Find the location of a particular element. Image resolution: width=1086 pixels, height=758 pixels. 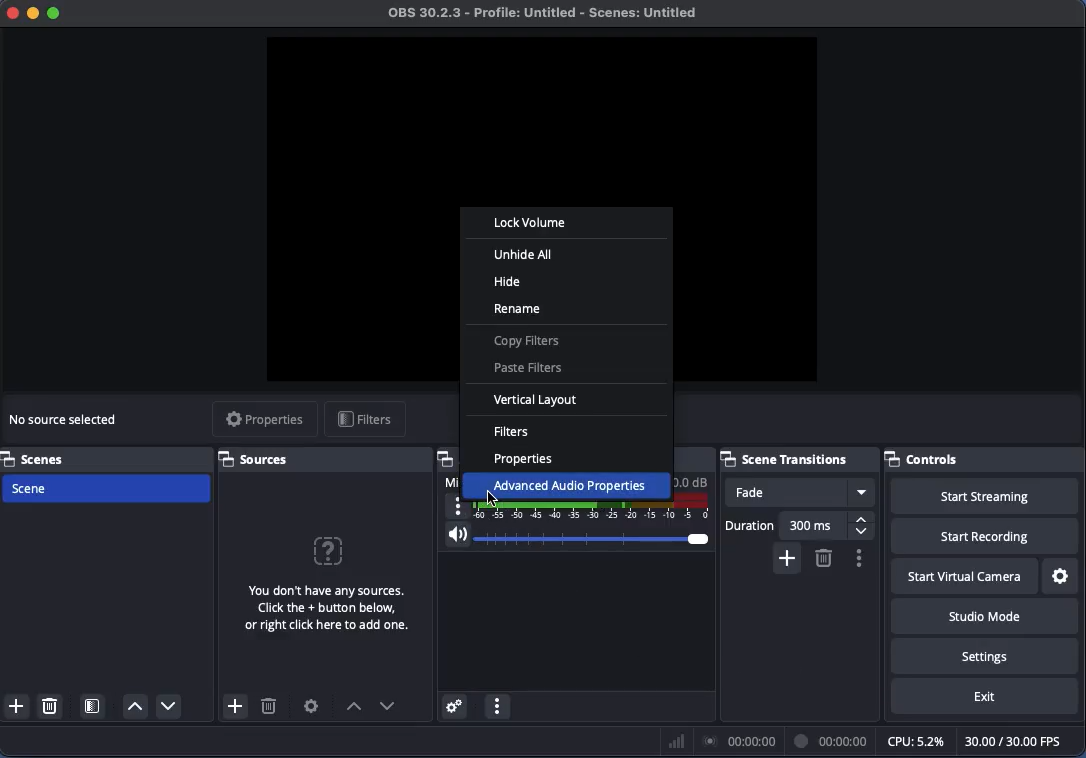

Project name is located at coordinates (548, 14).